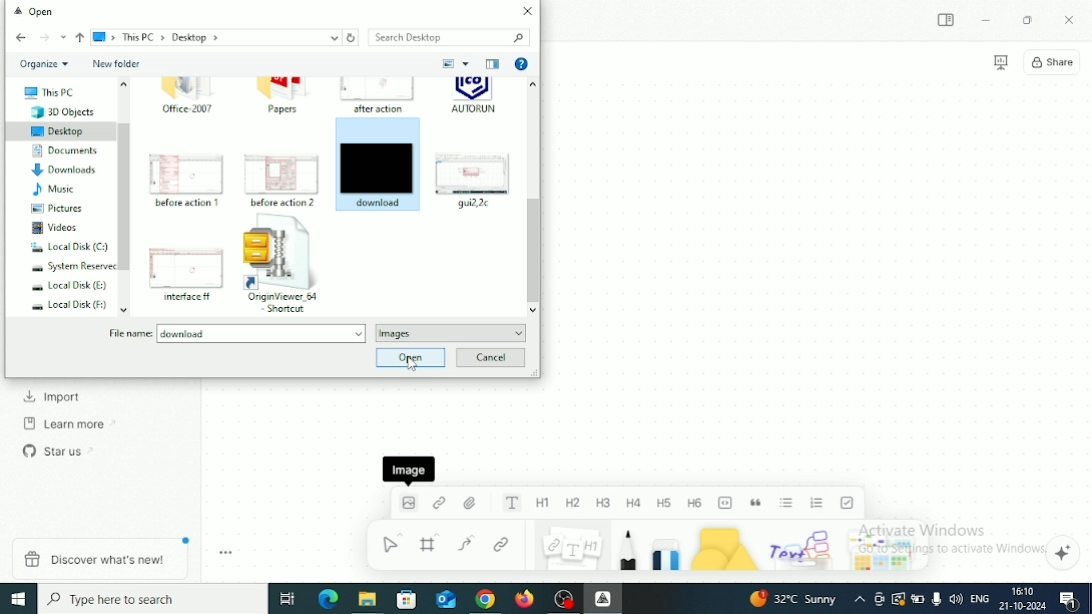  I want to click on Numbered list, so click(818, 503).